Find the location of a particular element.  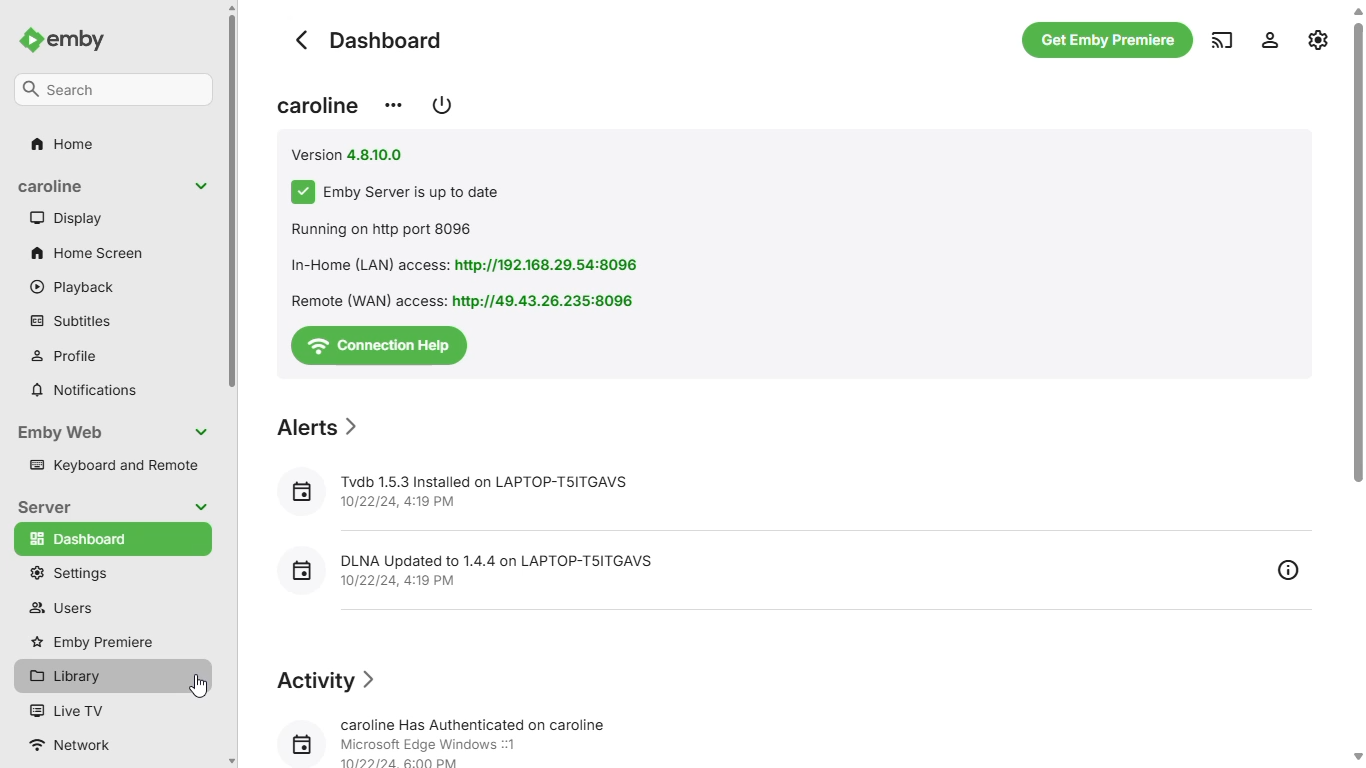

emby web is located at coordinates (115, 432).